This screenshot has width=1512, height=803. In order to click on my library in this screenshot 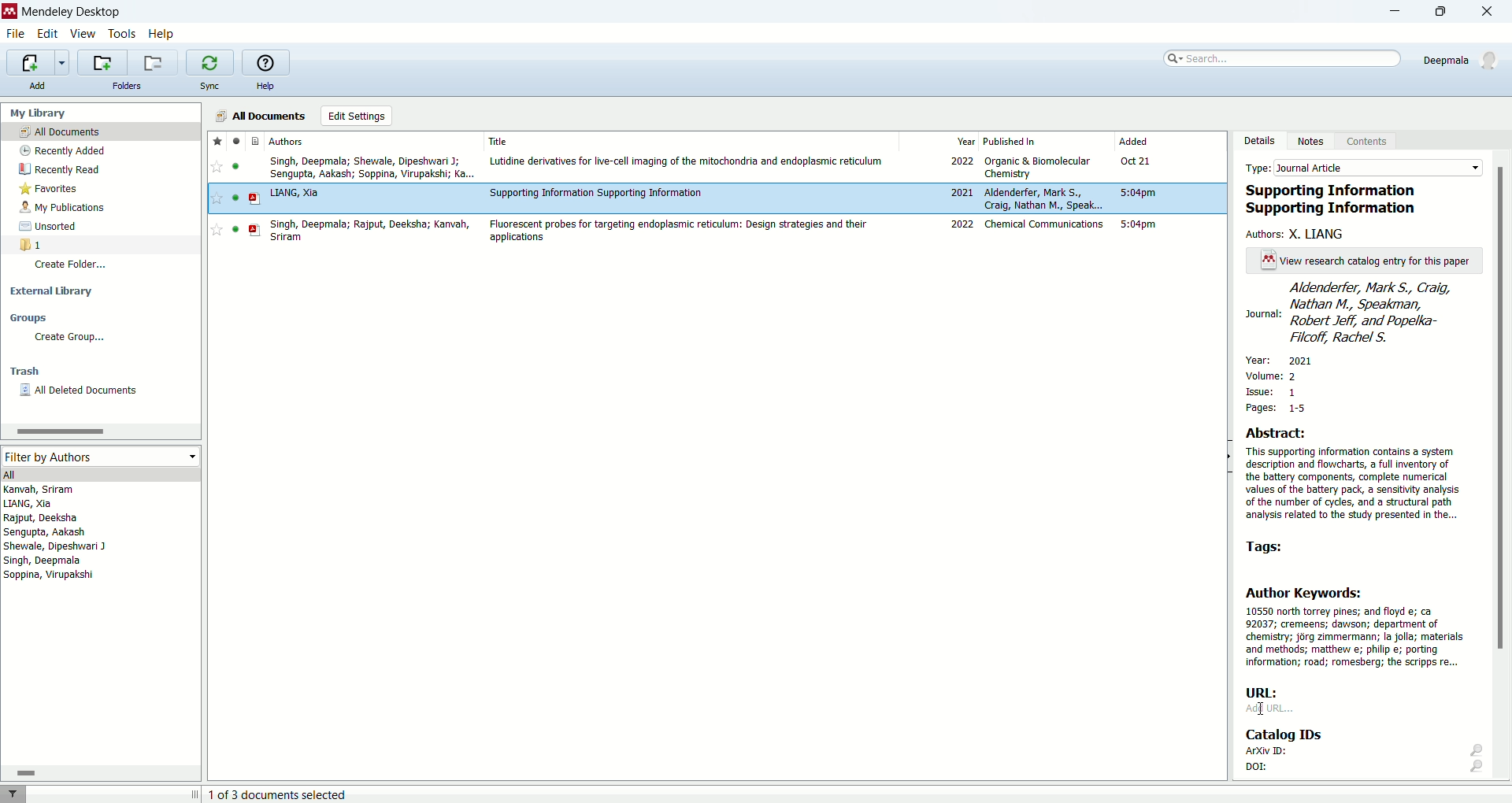, I will do `click(39, 113)`.